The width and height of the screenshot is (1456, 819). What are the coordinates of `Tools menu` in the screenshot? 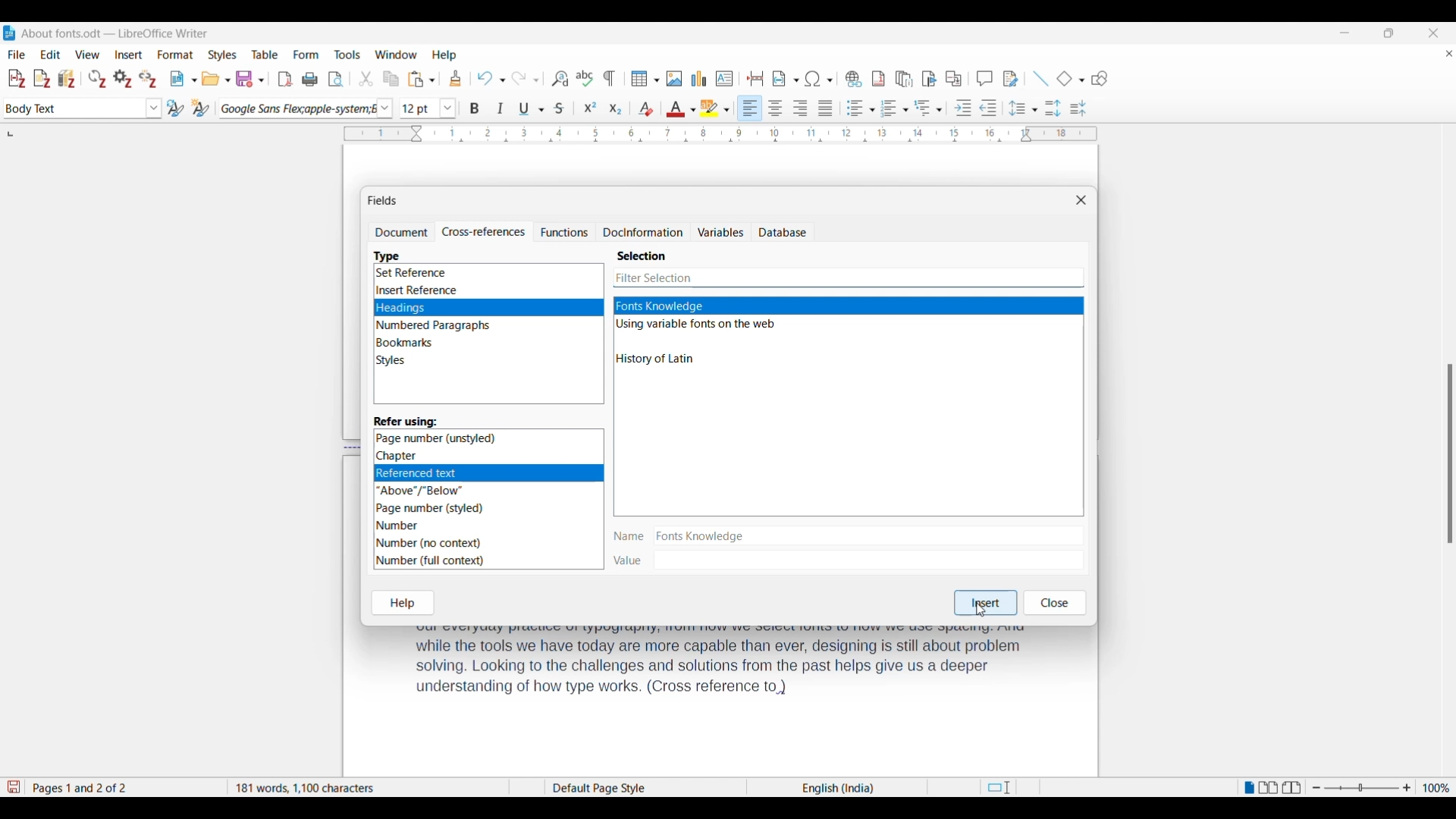 It's located at (347, 55).